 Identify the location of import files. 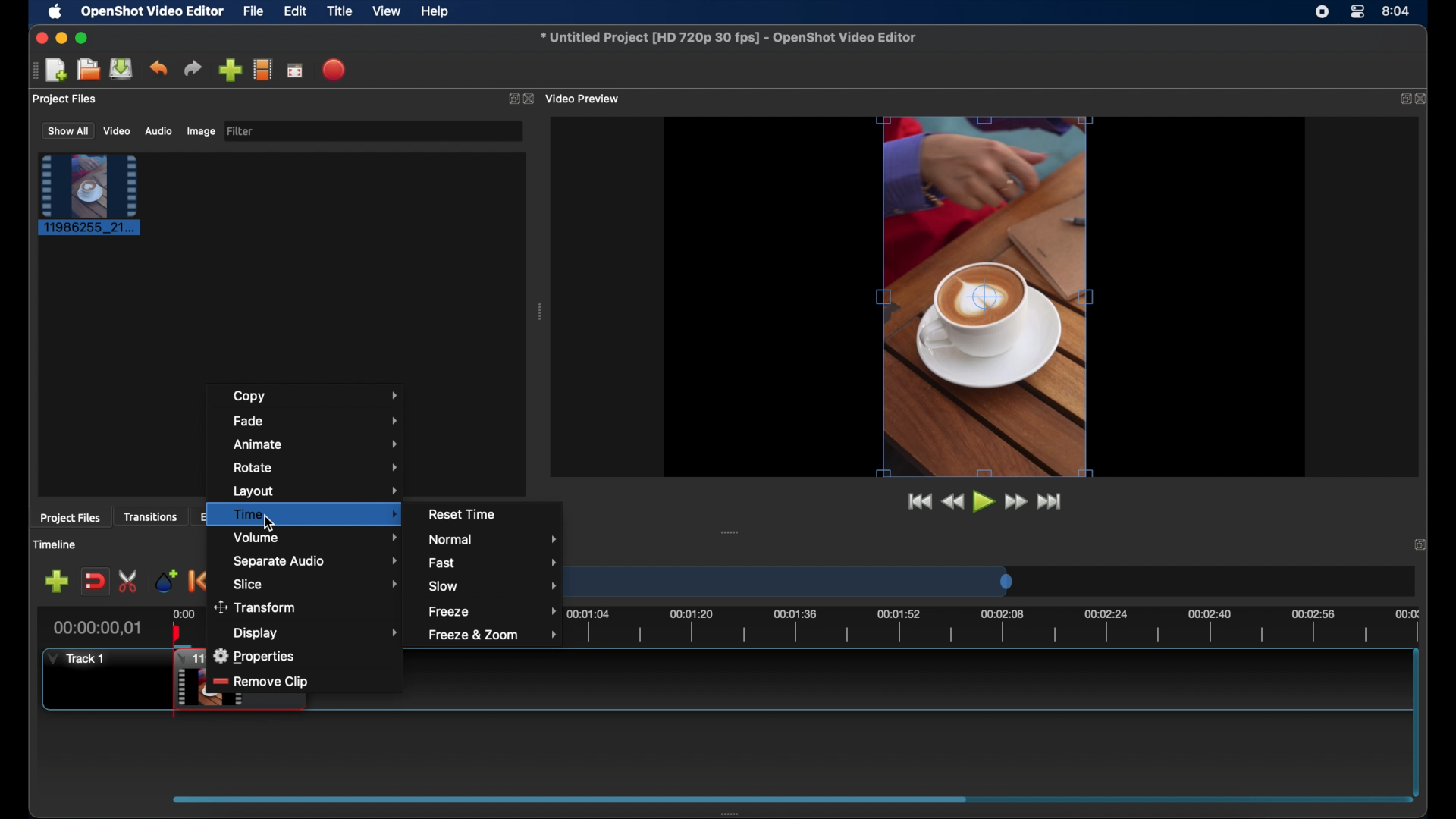
(229, 71).